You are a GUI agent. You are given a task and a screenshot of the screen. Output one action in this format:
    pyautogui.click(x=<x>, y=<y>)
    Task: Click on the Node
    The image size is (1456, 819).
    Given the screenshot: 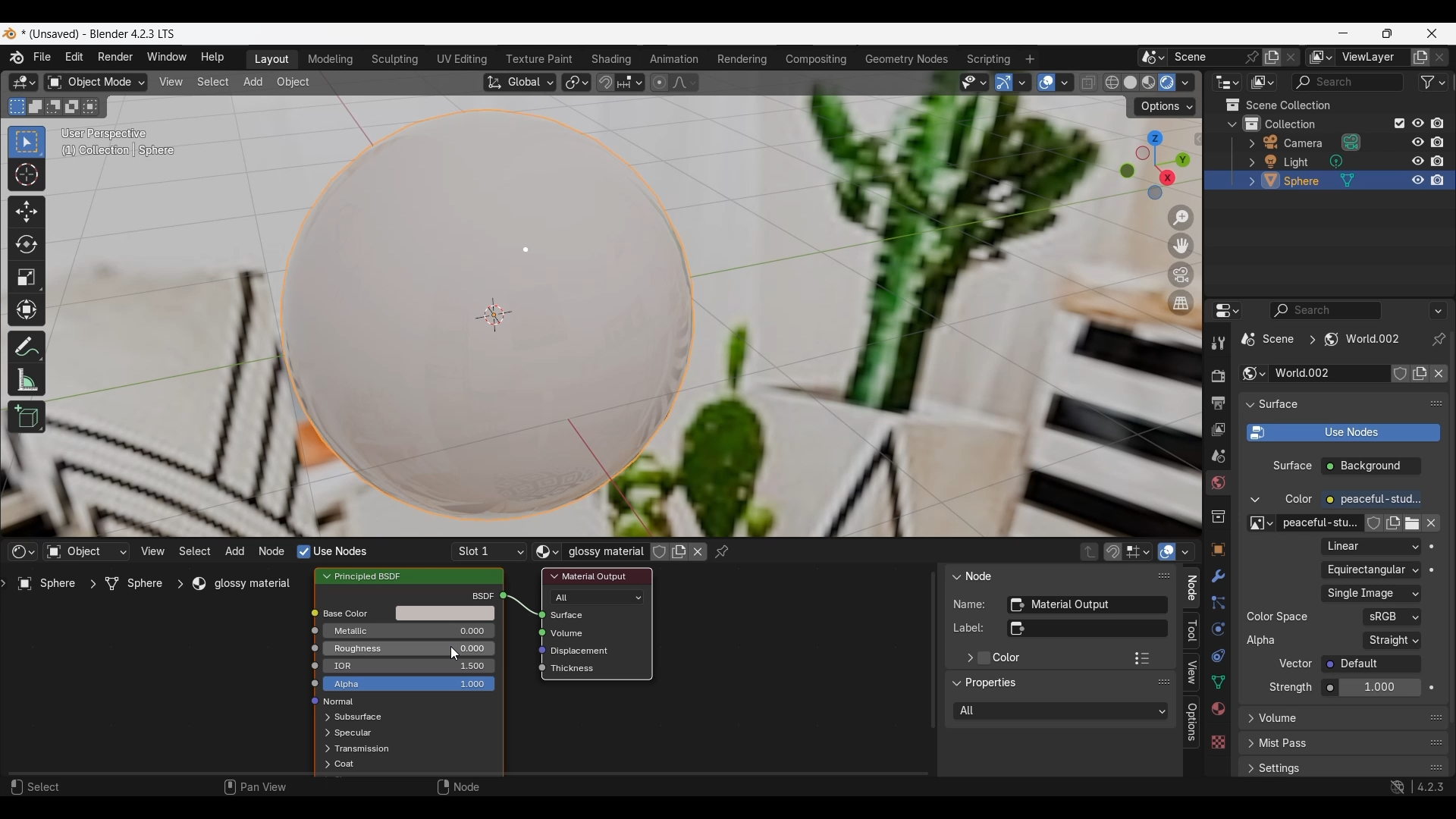 What is the action you would take?
    pyautogui.click(x=981, y=575)
    